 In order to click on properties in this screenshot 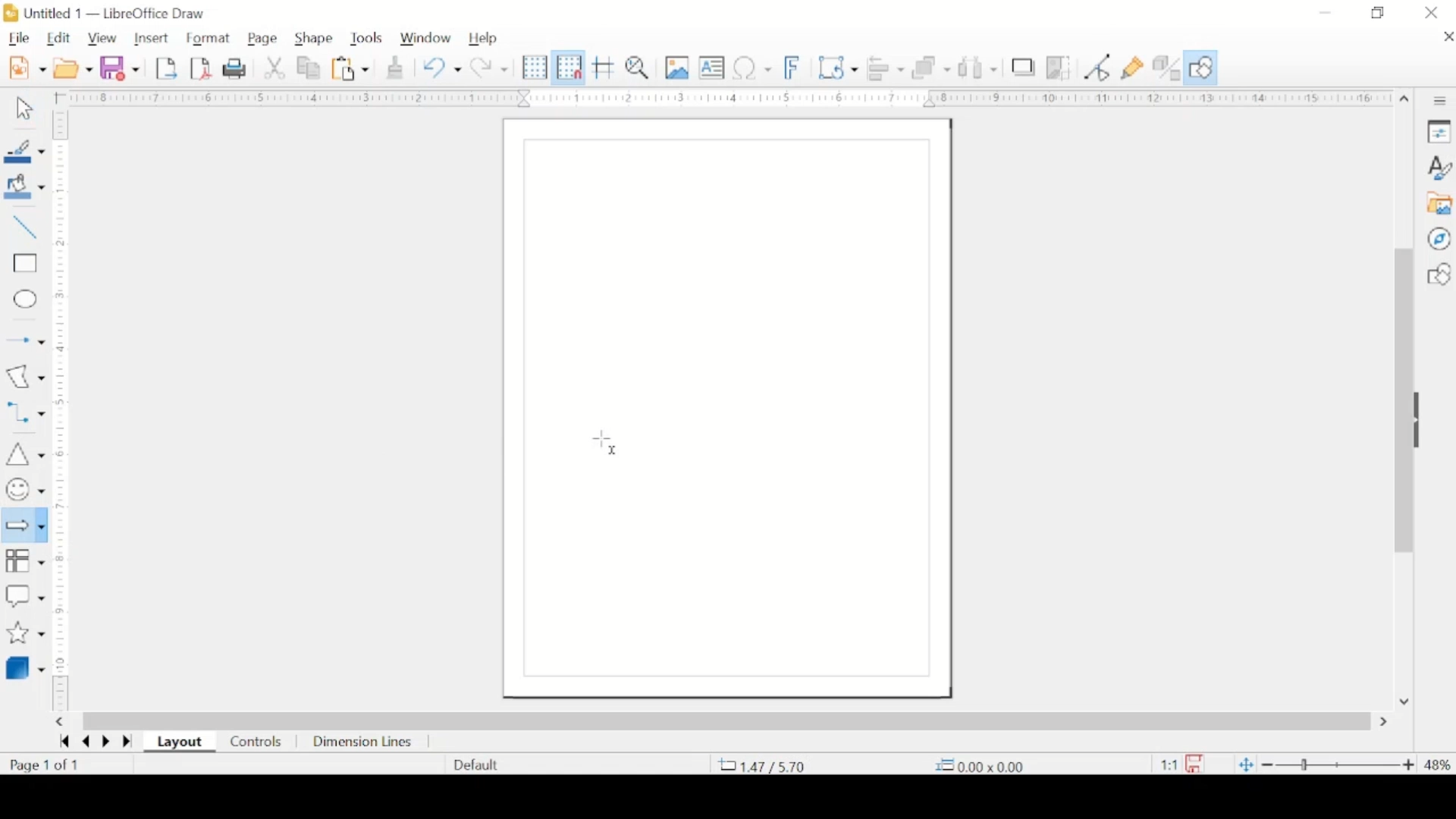, I will do `click(1439, 130)`.